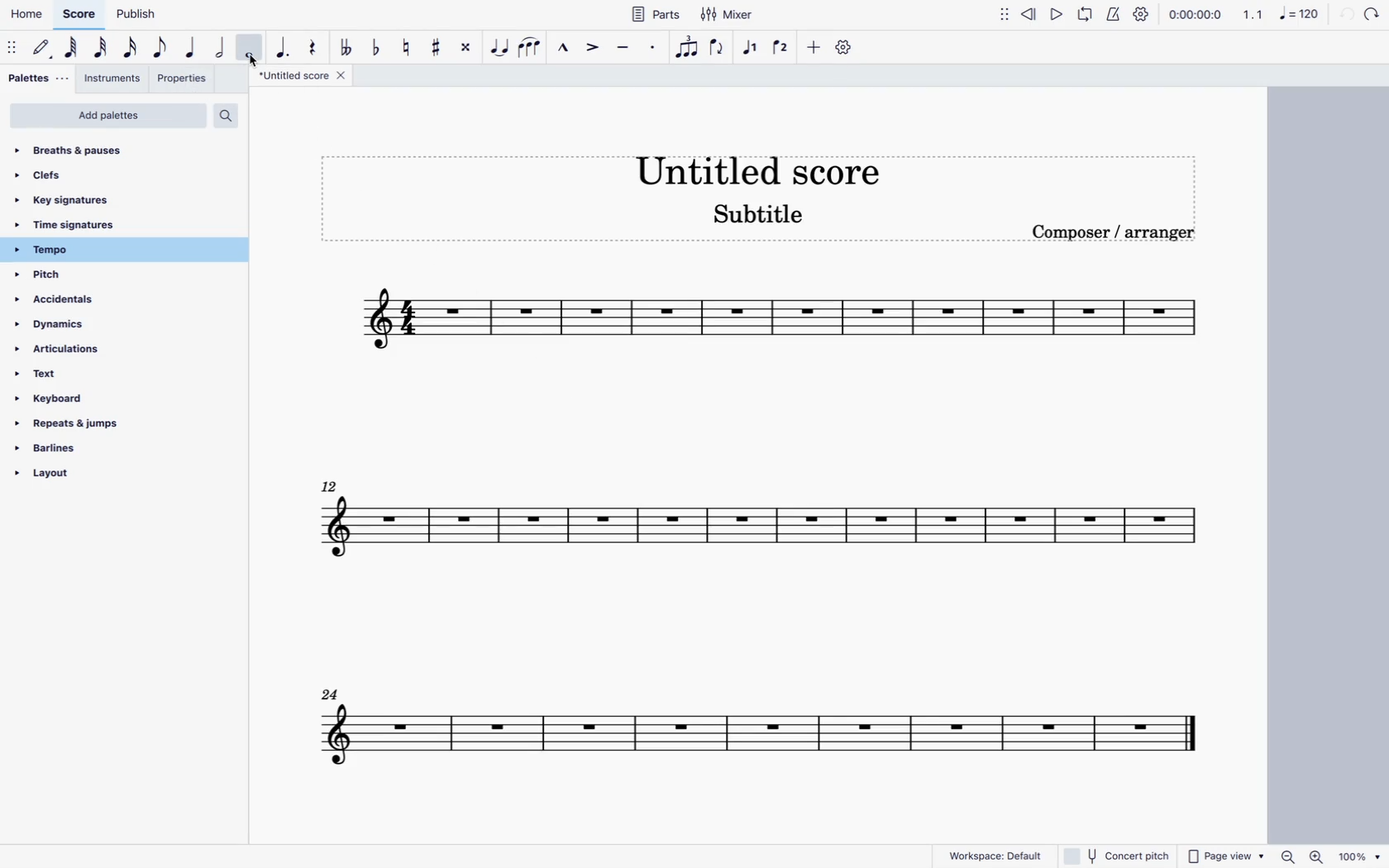 Image resolution: width=1389 pixels, height=868 pixels. What do you see at coordinates (987, 851) in the screenshot?
I see `workspace` at bounding box center [987, 851].